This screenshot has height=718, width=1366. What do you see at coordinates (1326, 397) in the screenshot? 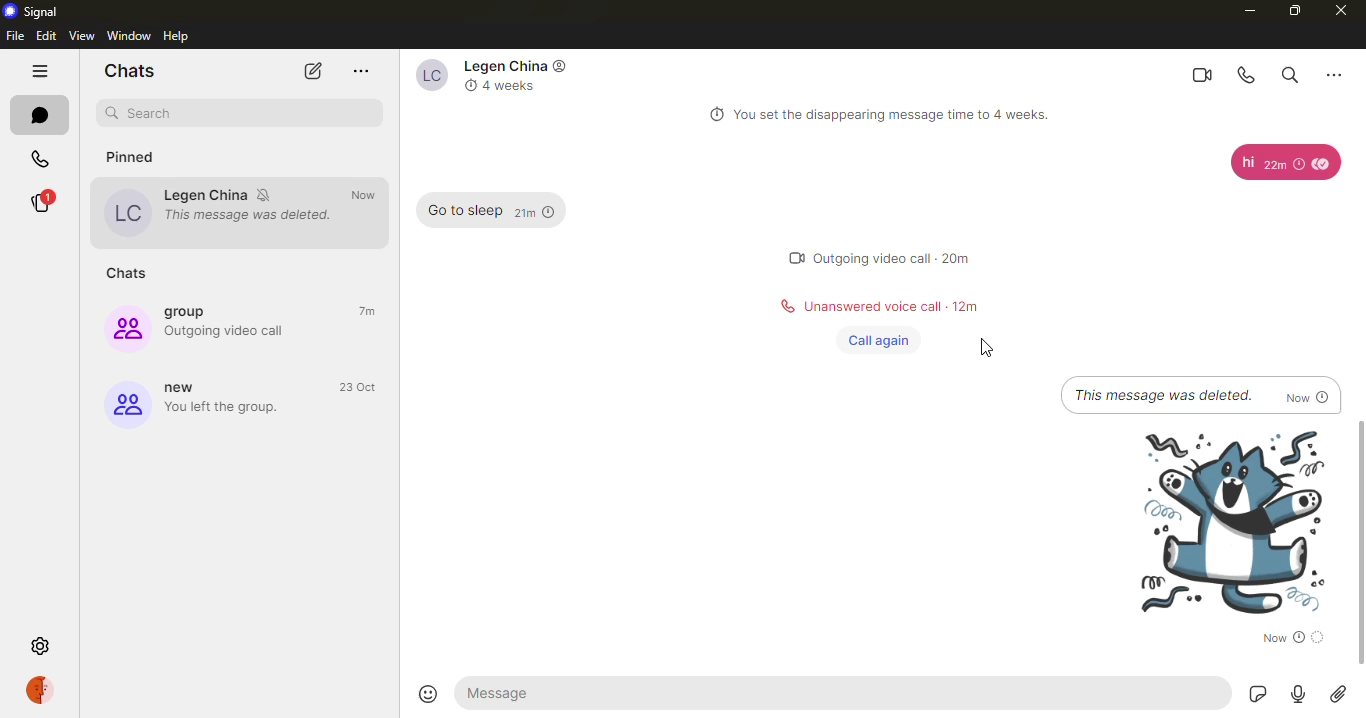
I see `time logo` at bounding box center [1326, 397].